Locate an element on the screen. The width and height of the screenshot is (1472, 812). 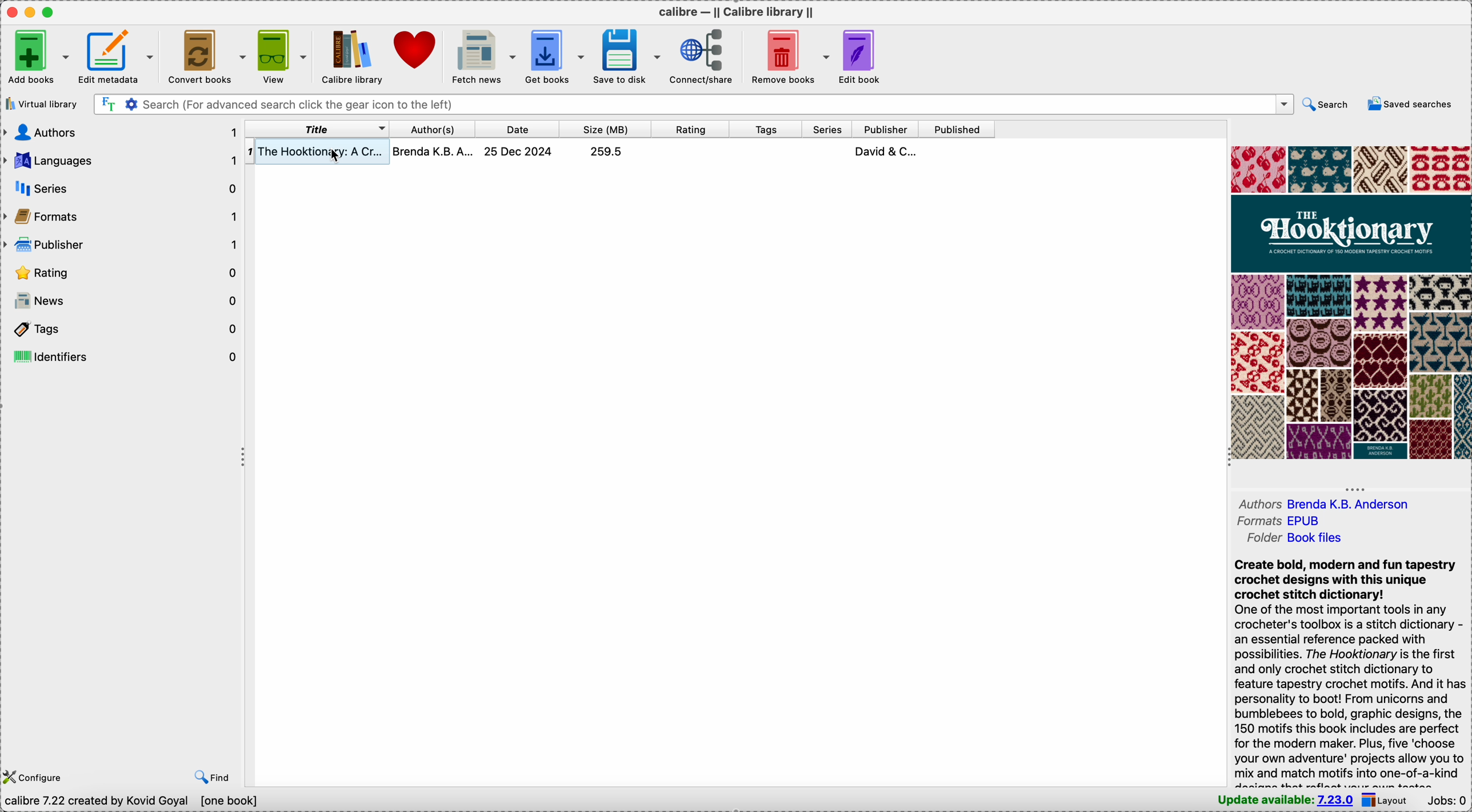
authors is located at coordinates (1324, 503).